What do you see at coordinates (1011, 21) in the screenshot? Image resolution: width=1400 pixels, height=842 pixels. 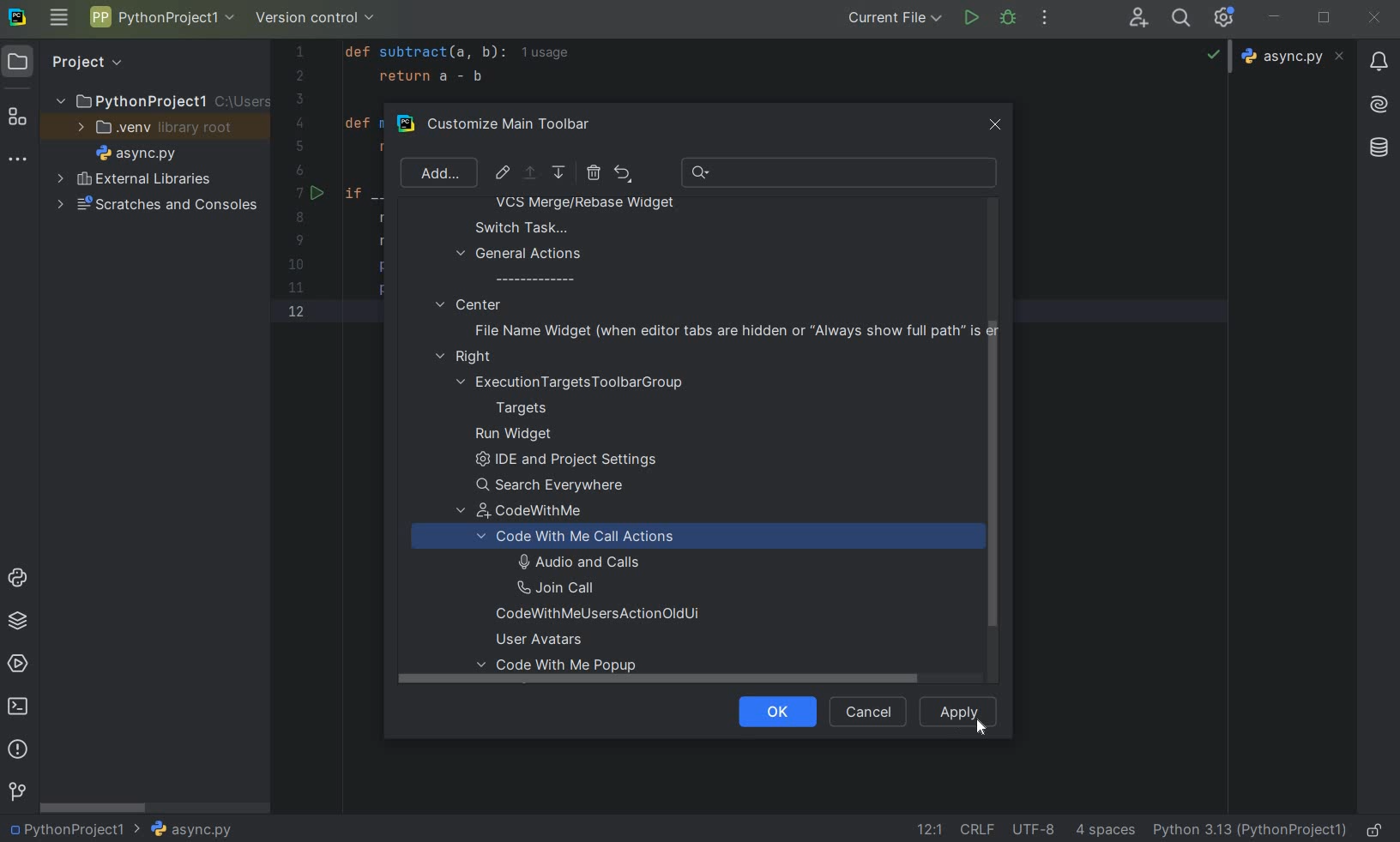 I see `DEBUG` at bounding box center [1011, 21].